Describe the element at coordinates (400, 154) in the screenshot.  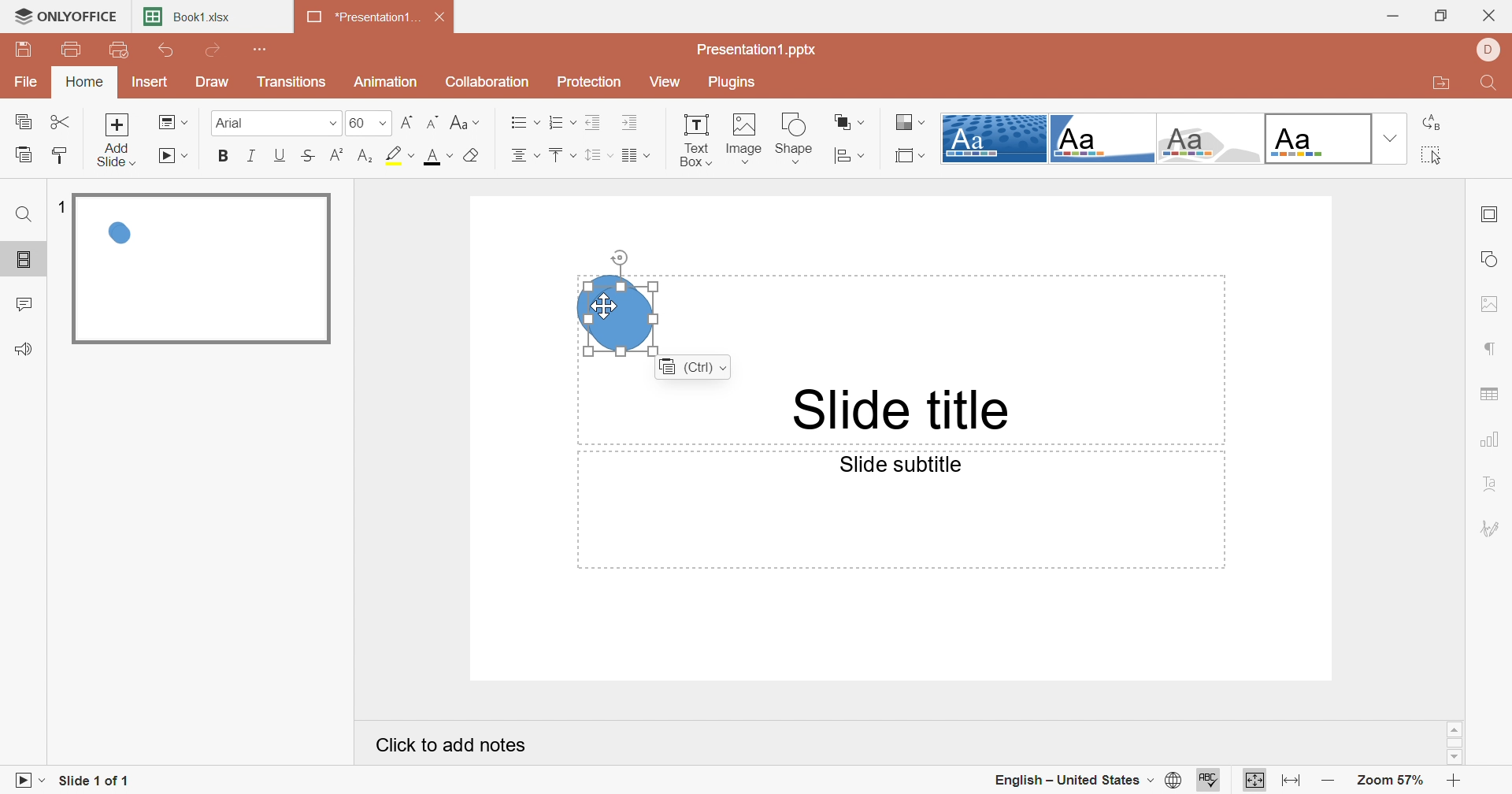
I see `Highlight color` at that location.